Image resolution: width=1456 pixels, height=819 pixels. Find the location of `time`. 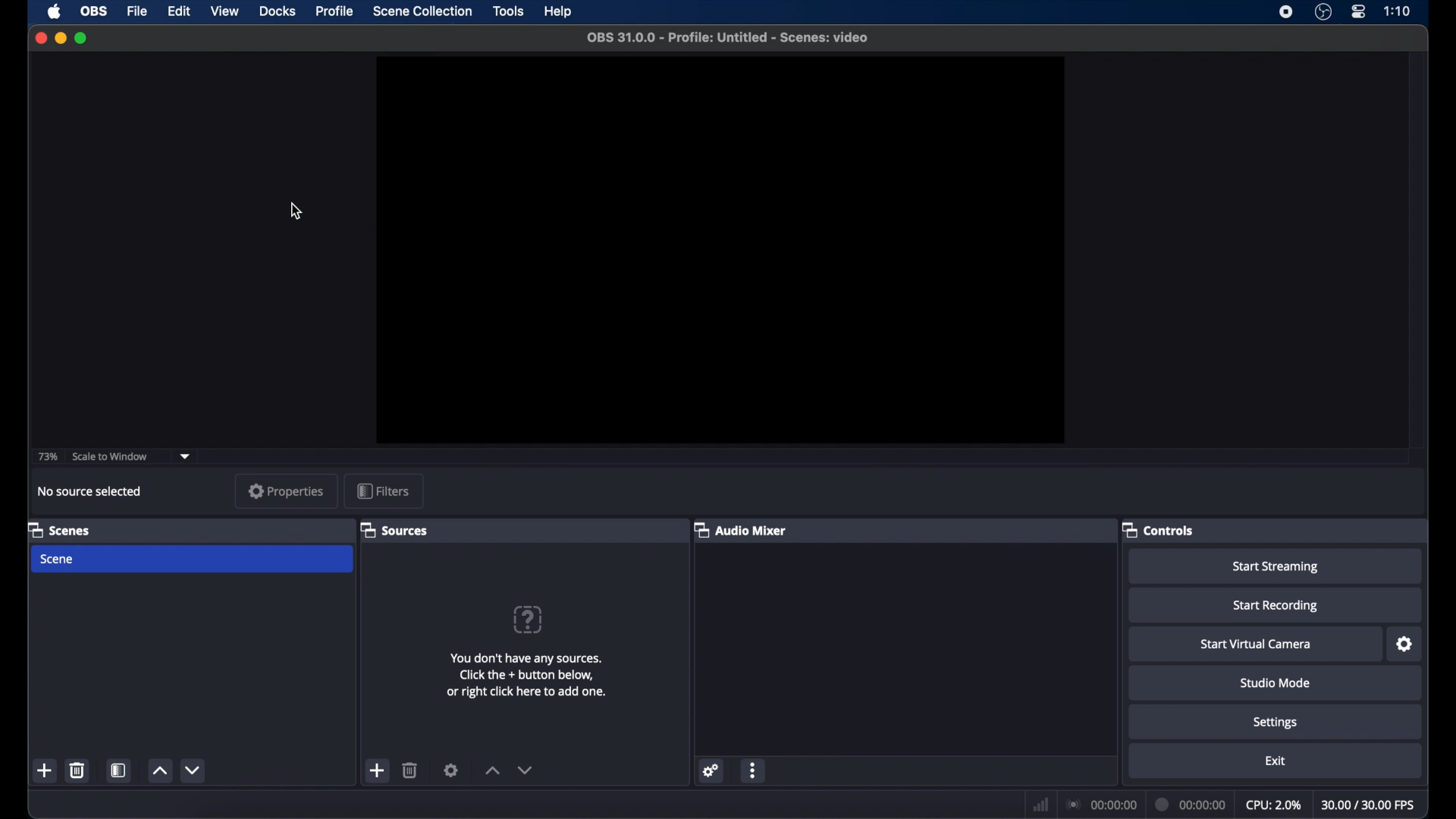

time is located at coordinates (1398, 11).